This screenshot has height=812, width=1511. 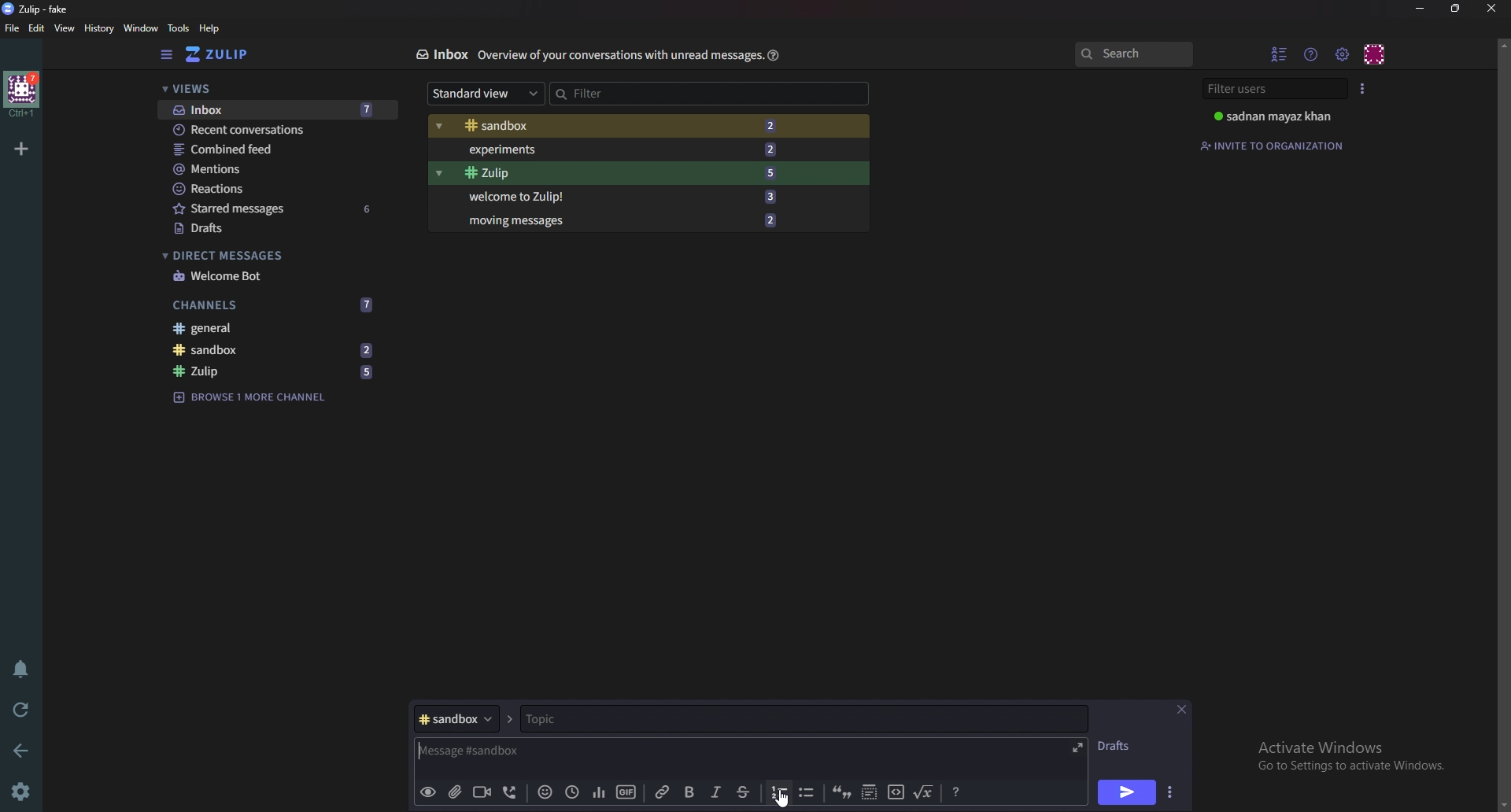 I want to click on bold, so click(x=688, y=792).